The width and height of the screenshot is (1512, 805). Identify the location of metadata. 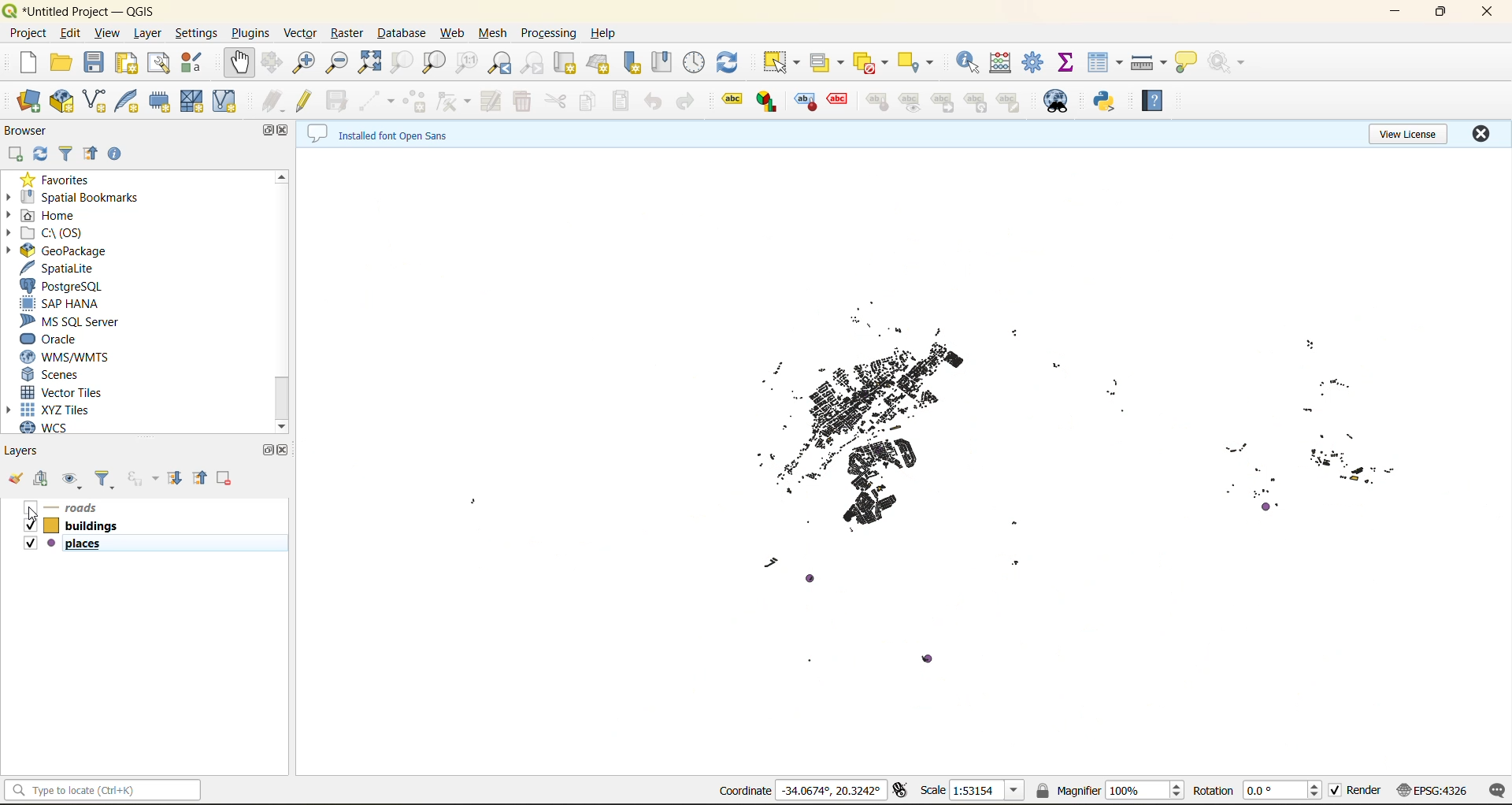
(380, 135).